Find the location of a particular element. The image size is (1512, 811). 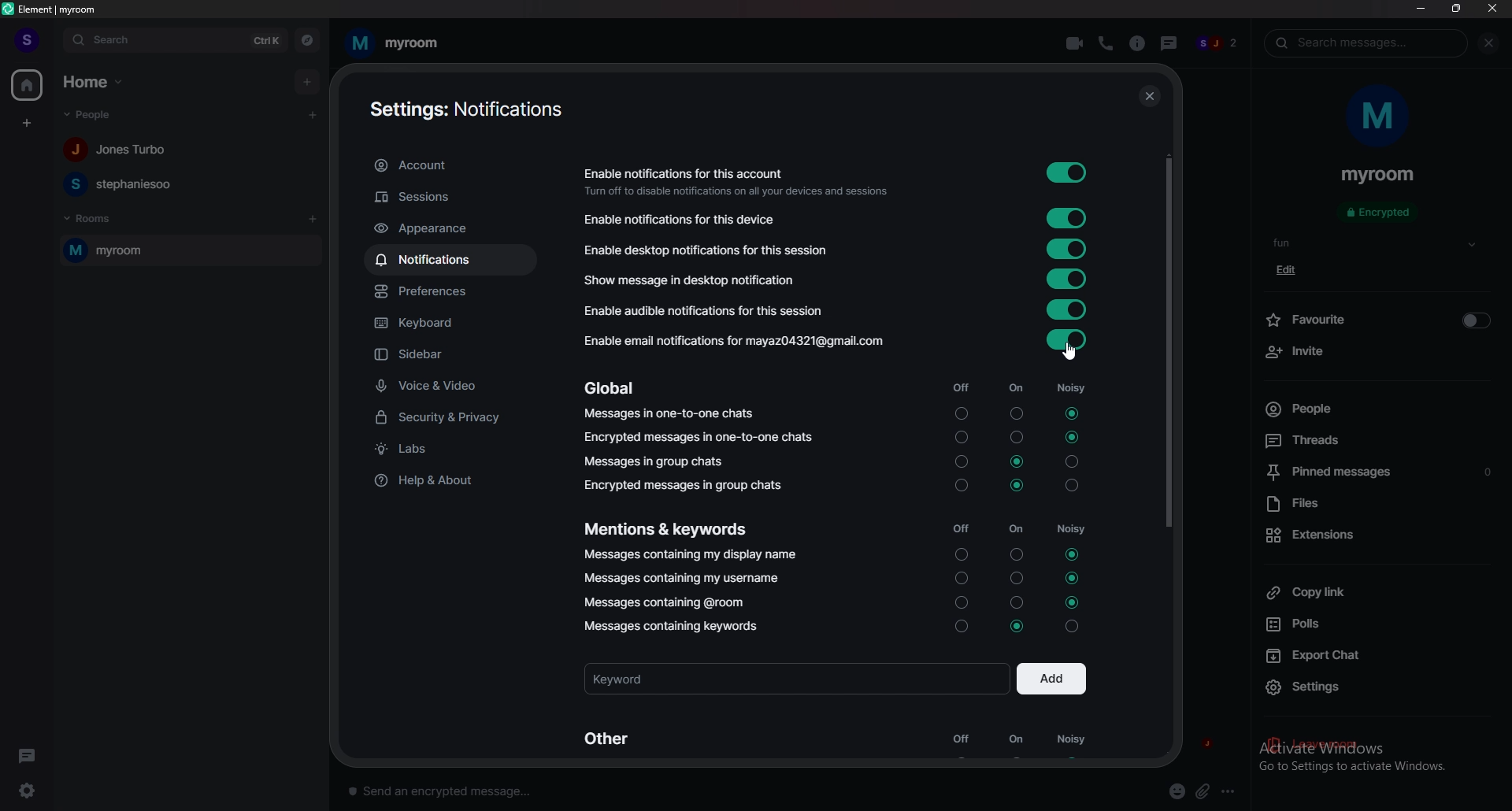

export chat is located at coordinates (1375, 654).